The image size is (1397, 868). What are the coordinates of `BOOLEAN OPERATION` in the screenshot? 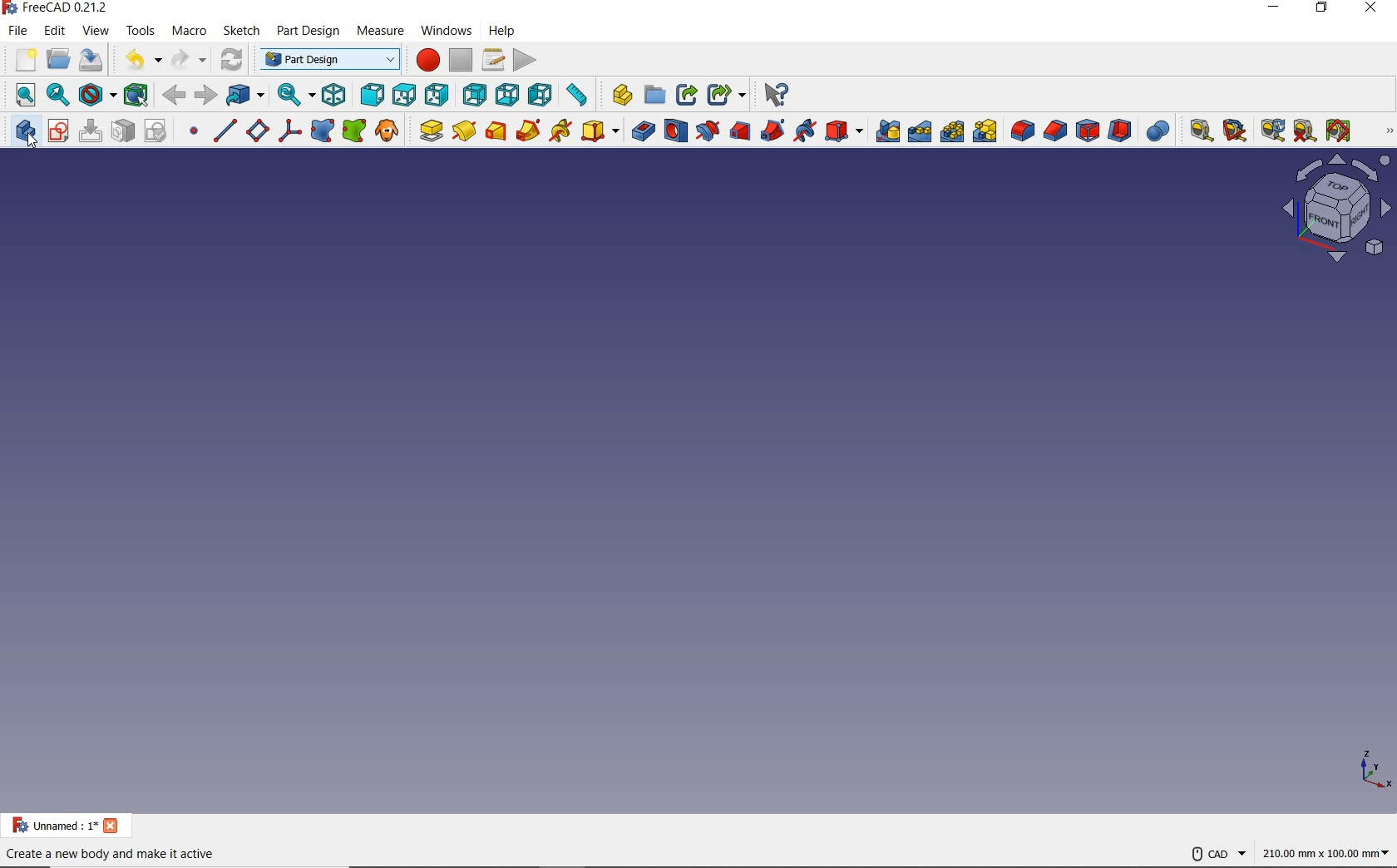 It's located at (1159, 130).